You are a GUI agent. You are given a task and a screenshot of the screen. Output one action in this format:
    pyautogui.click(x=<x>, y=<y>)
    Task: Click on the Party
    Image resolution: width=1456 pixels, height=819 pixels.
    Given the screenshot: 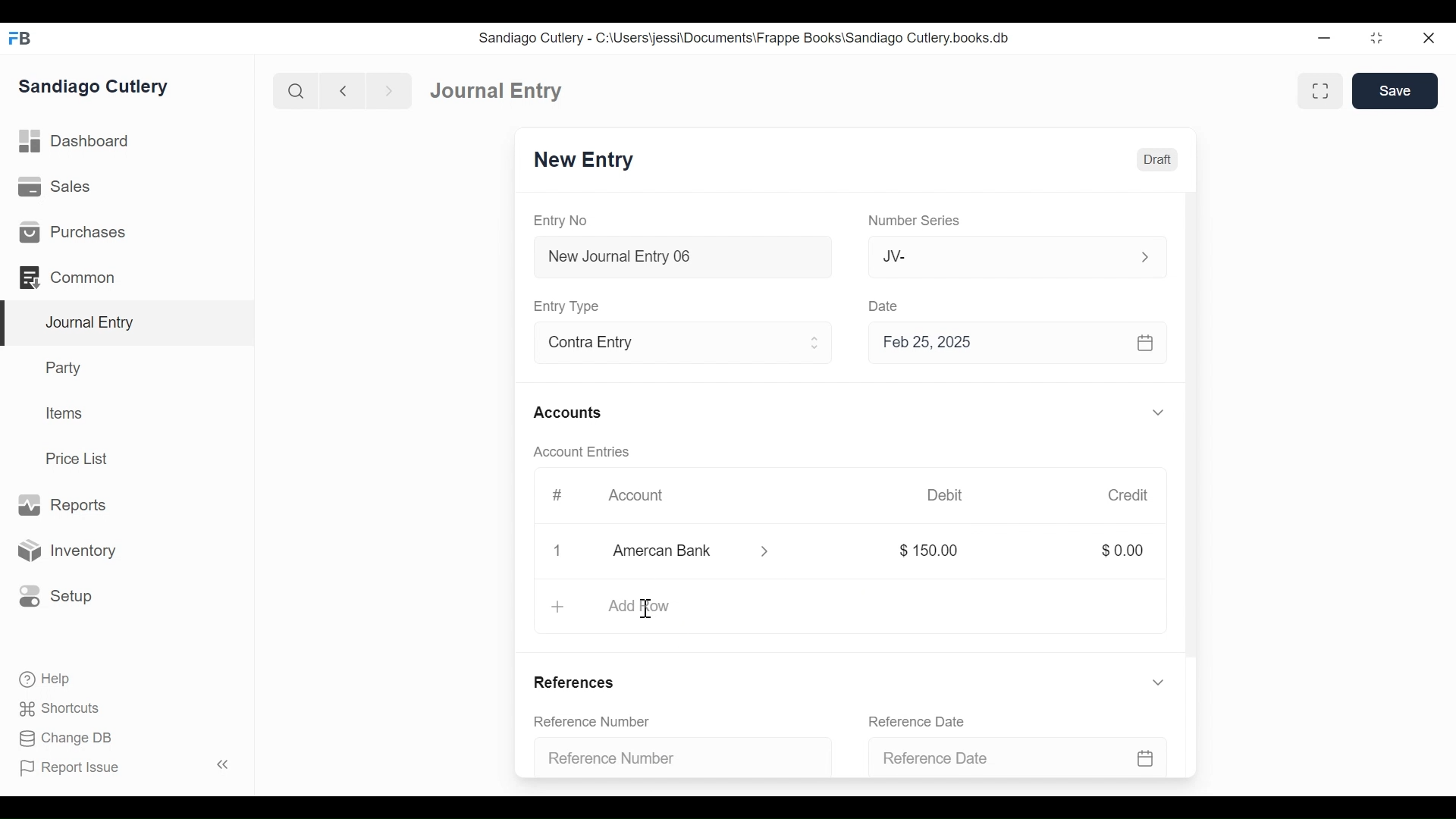 What is the action you would take?
    pyautogui.click(x=67, y=367)
    